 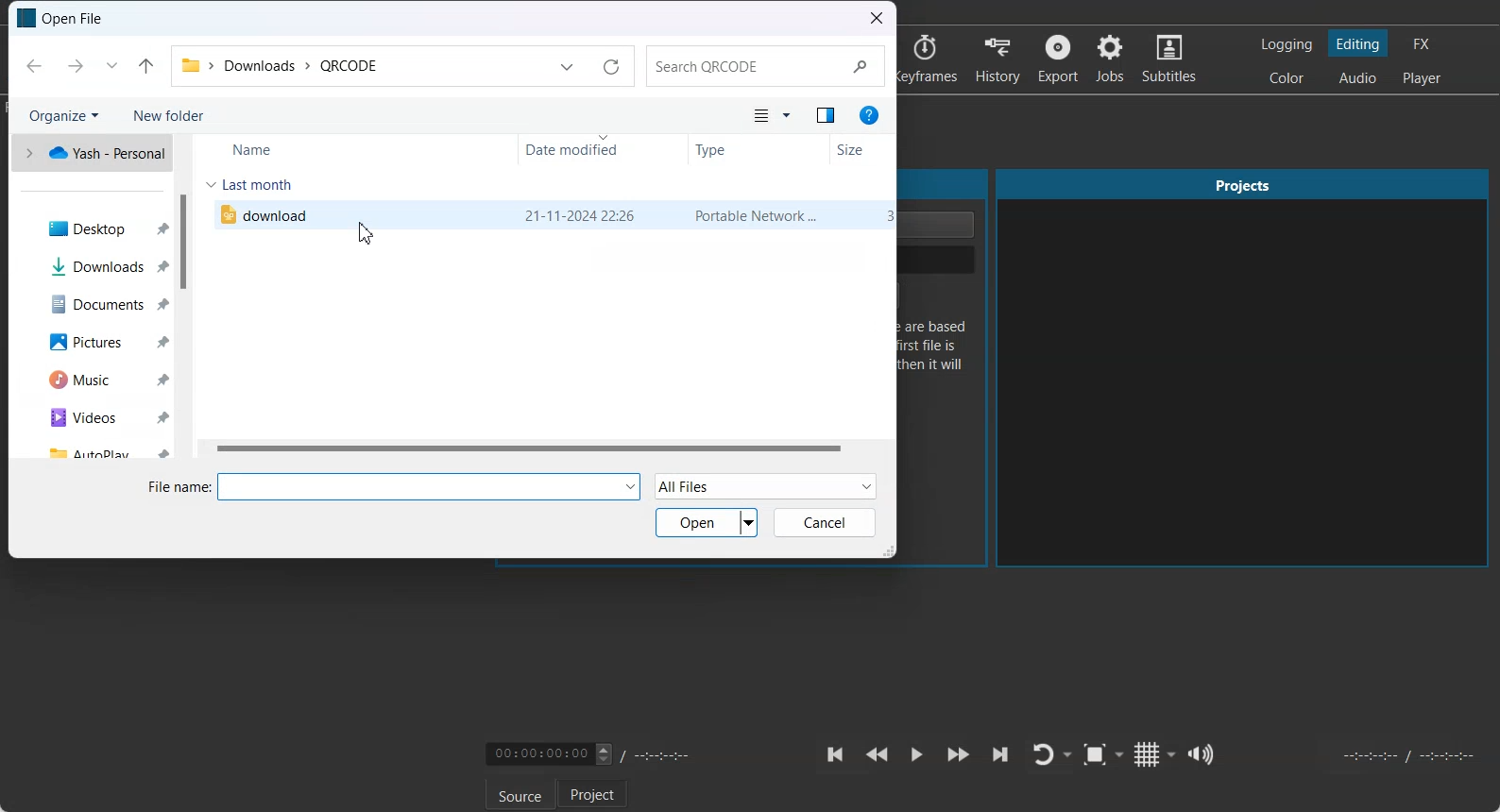 I want to click on Vertical Scroll bar, so click(x=185, y=244).